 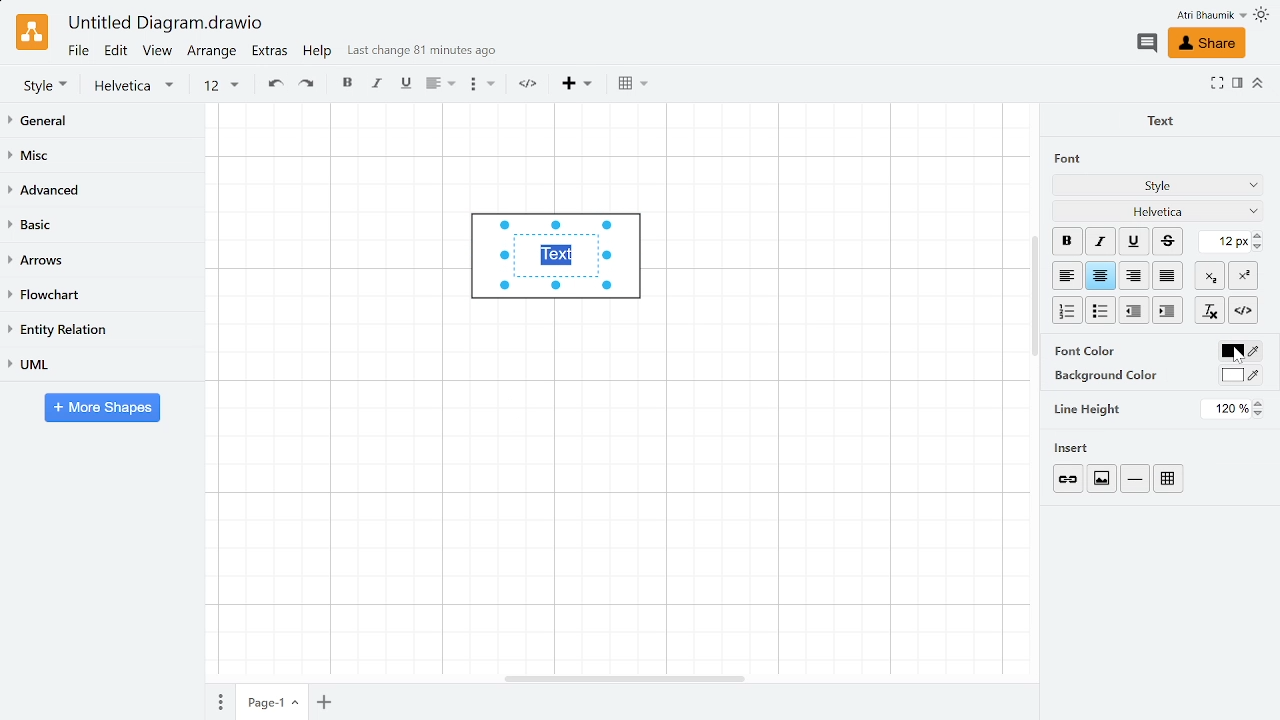 I want to click on insert, so click(x=577, y=84).